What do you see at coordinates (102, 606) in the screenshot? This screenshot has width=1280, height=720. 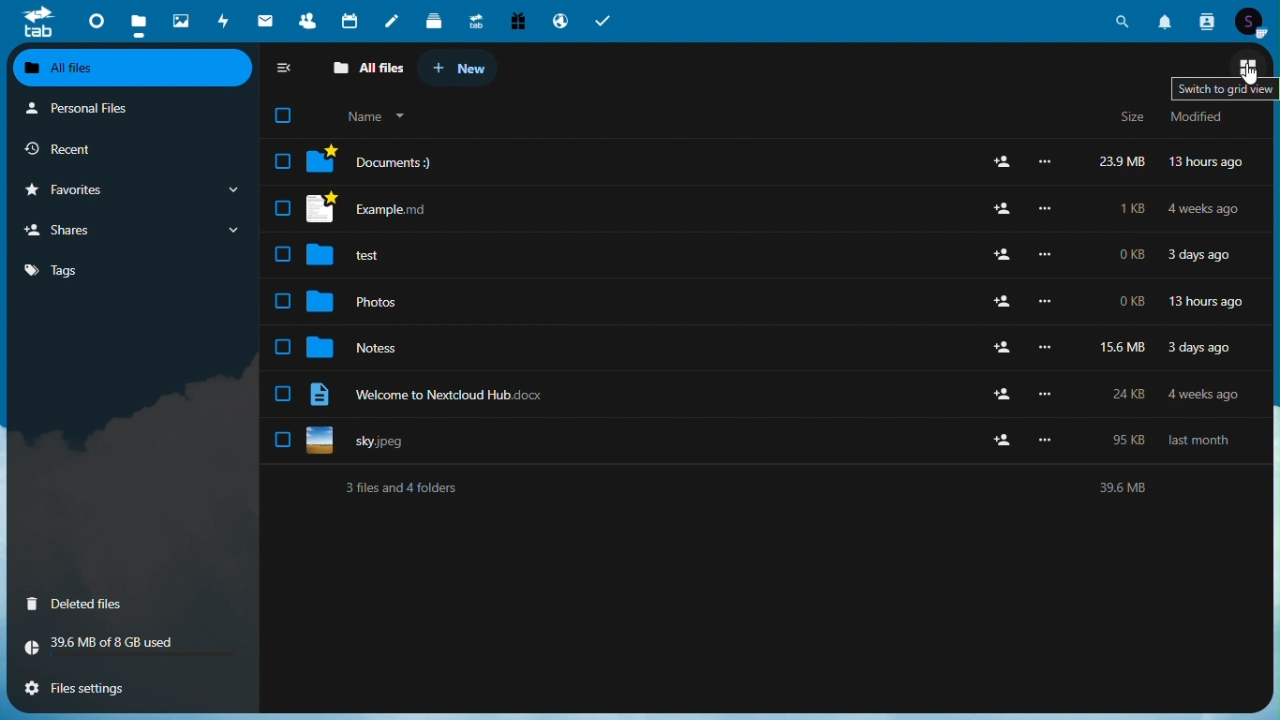 I see `deleted files` at bounding box center [102, 606].